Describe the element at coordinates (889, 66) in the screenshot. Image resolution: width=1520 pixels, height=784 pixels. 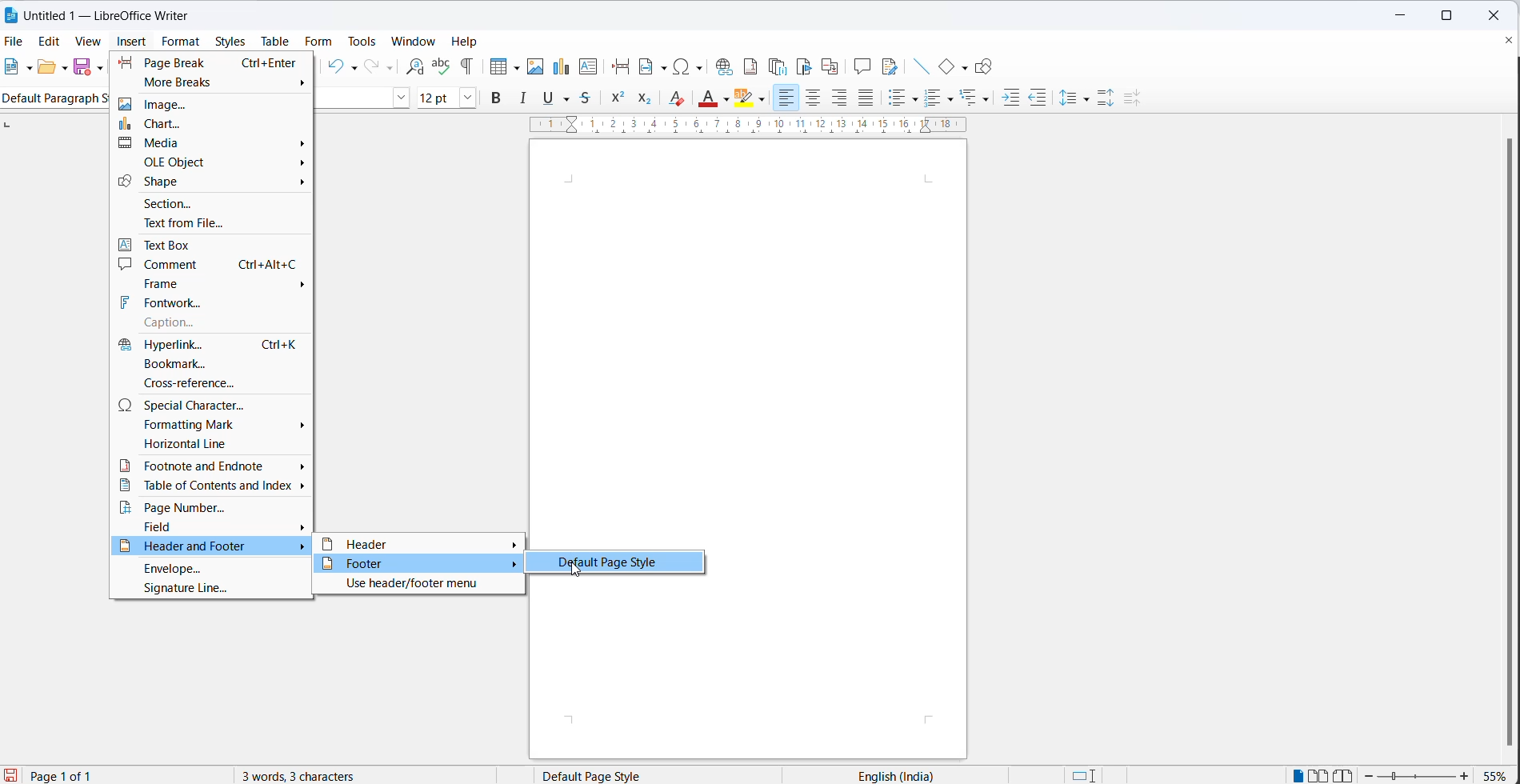
I see `show track changes functions` at that location.